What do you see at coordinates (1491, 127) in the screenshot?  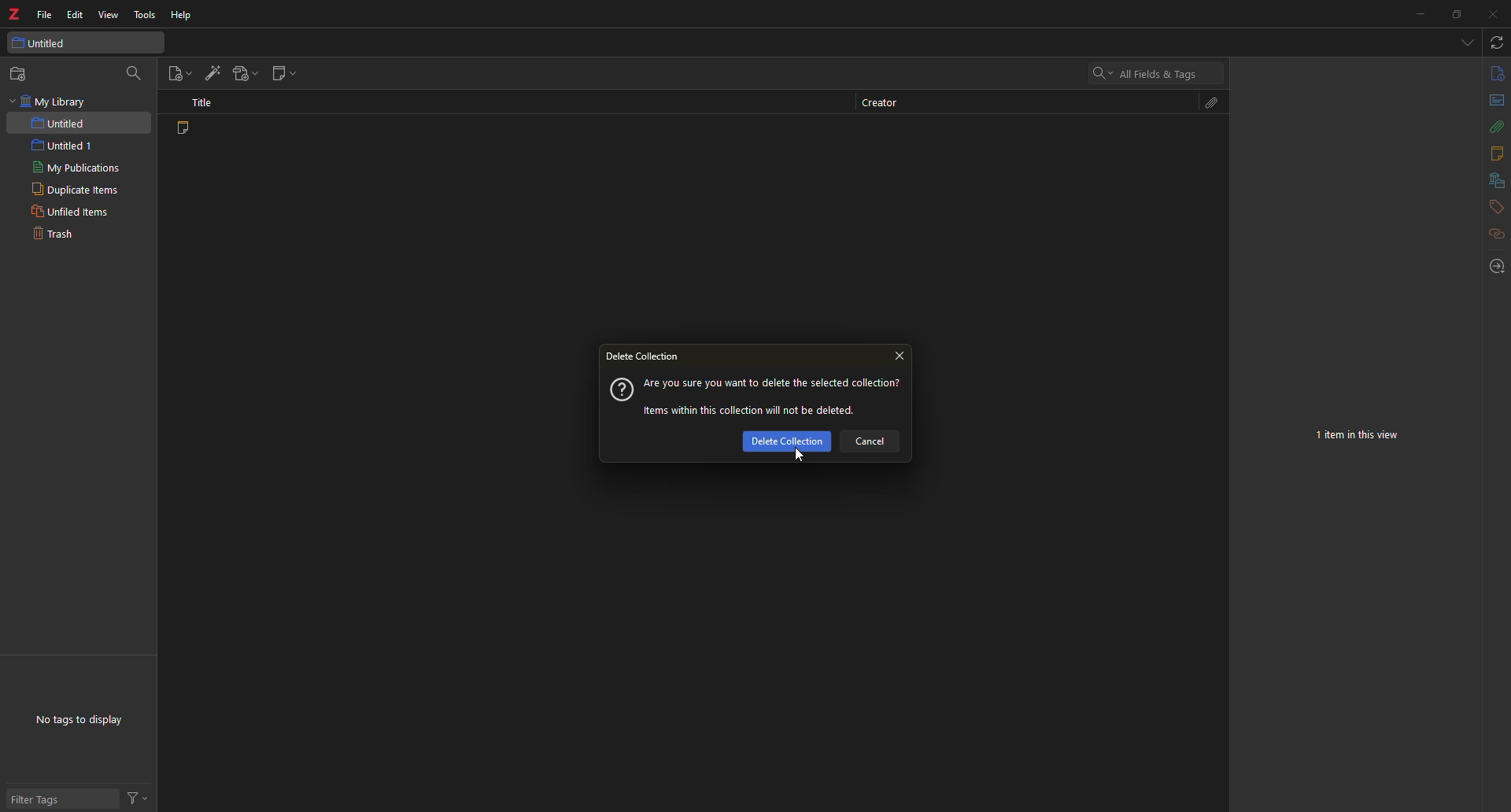 I see `attach` at bounding box center [1491, 127].